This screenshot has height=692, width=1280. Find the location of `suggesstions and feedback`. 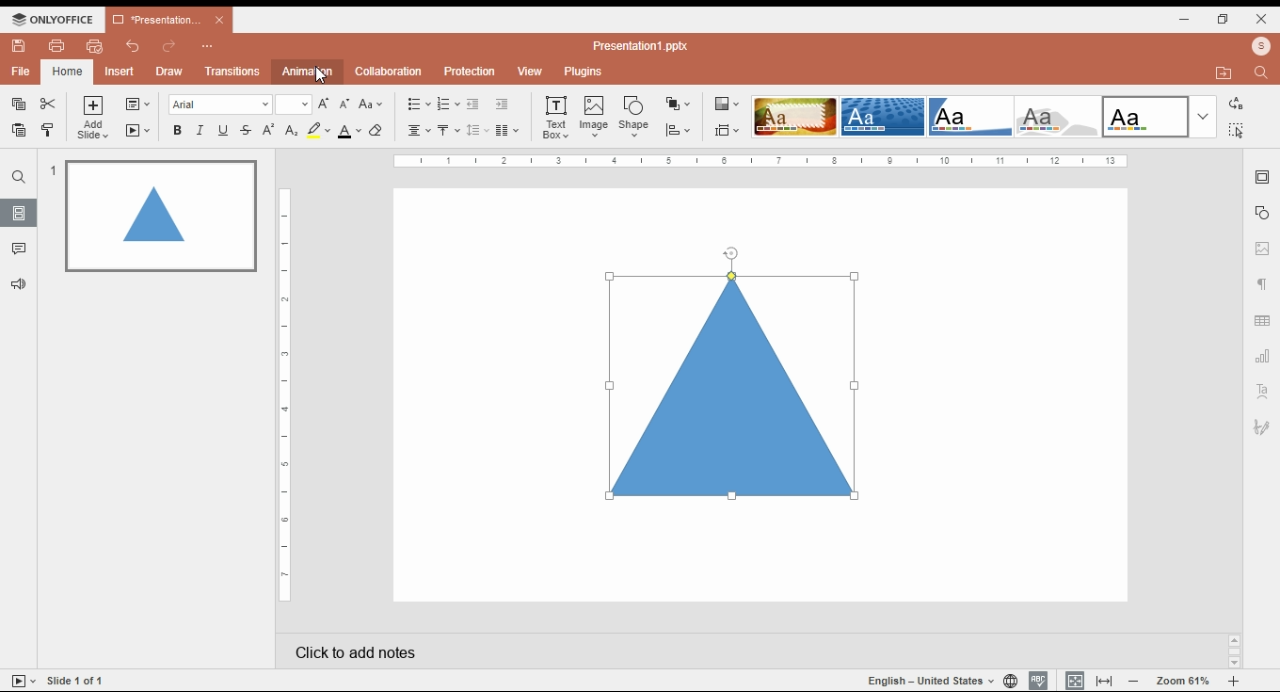

suggesstions and feedback is located at coordinates (20, 285).